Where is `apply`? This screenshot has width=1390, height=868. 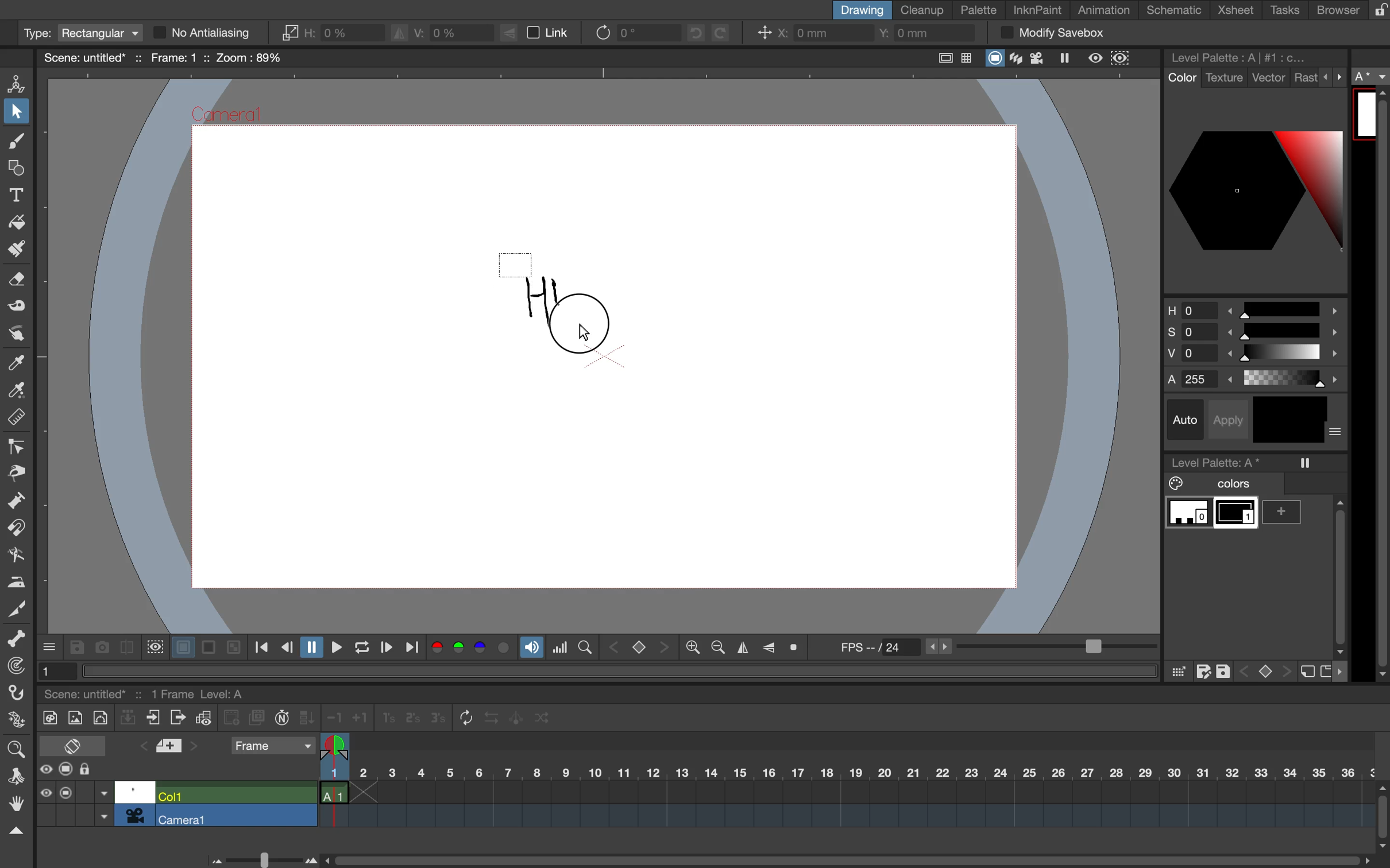 apply is located at coordinates (1232, 418).